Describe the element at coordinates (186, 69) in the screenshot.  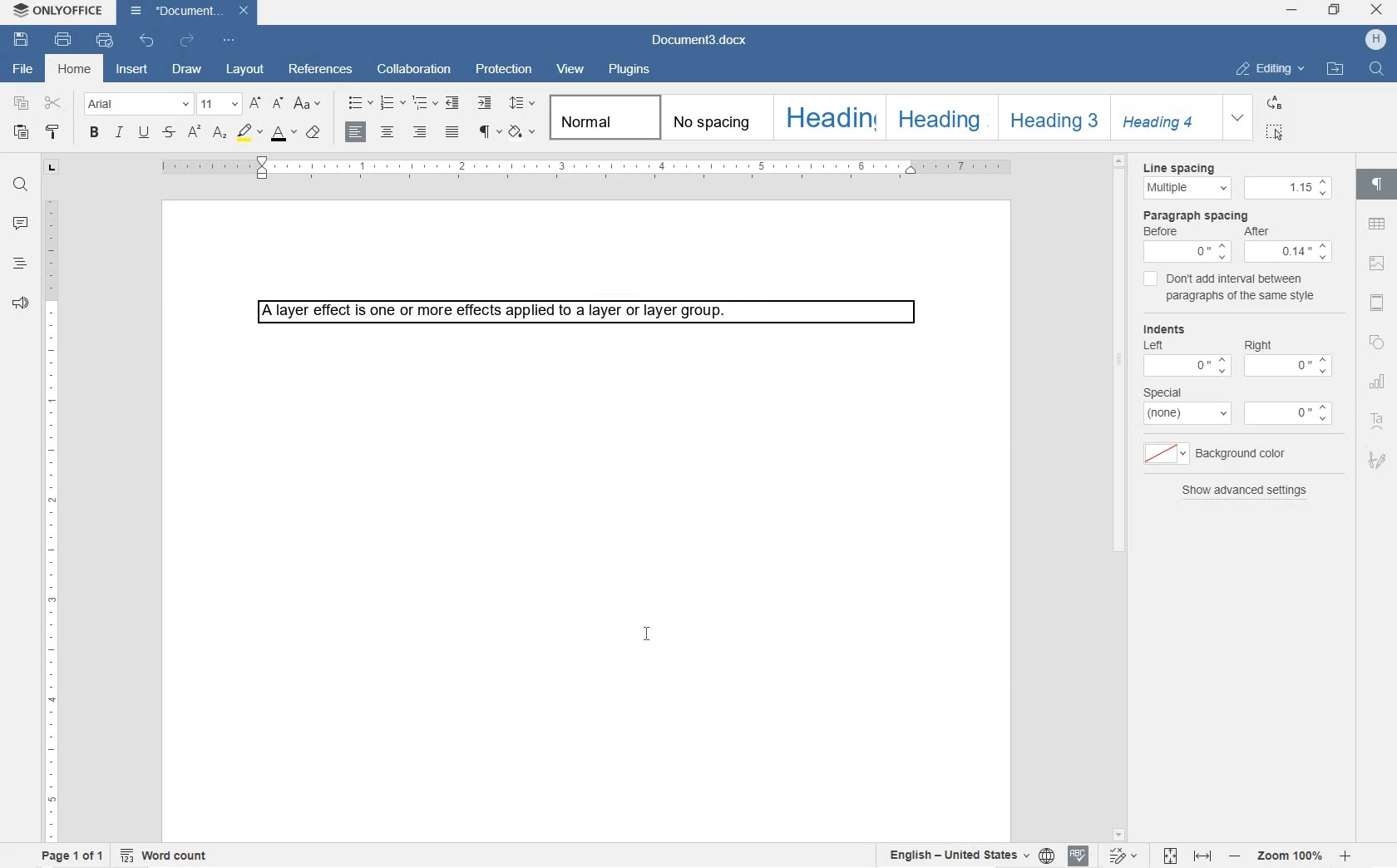
I see `DRAW` at that location.